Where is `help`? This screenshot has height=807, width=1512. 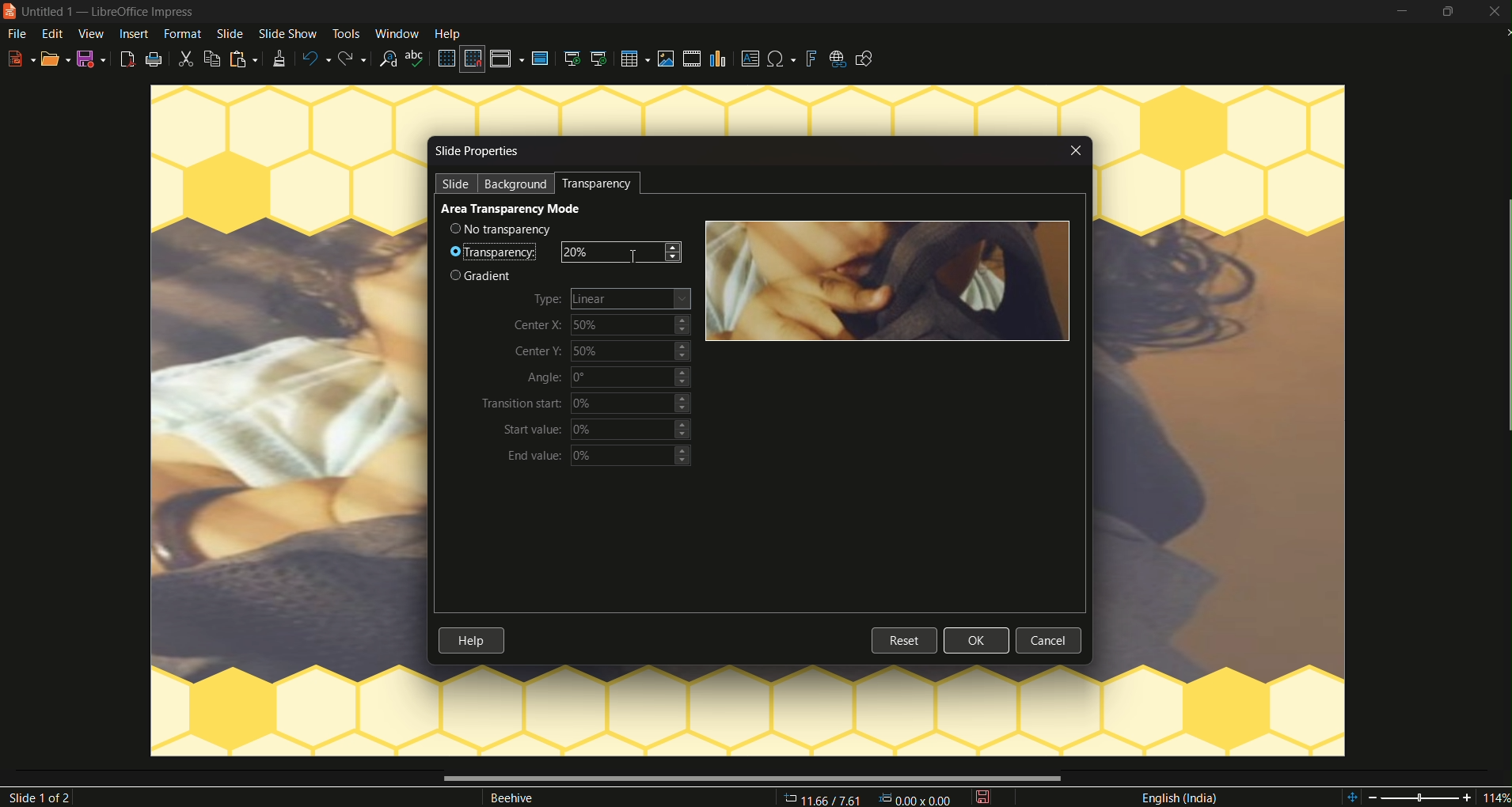 help is located at coordinates (452, 33).